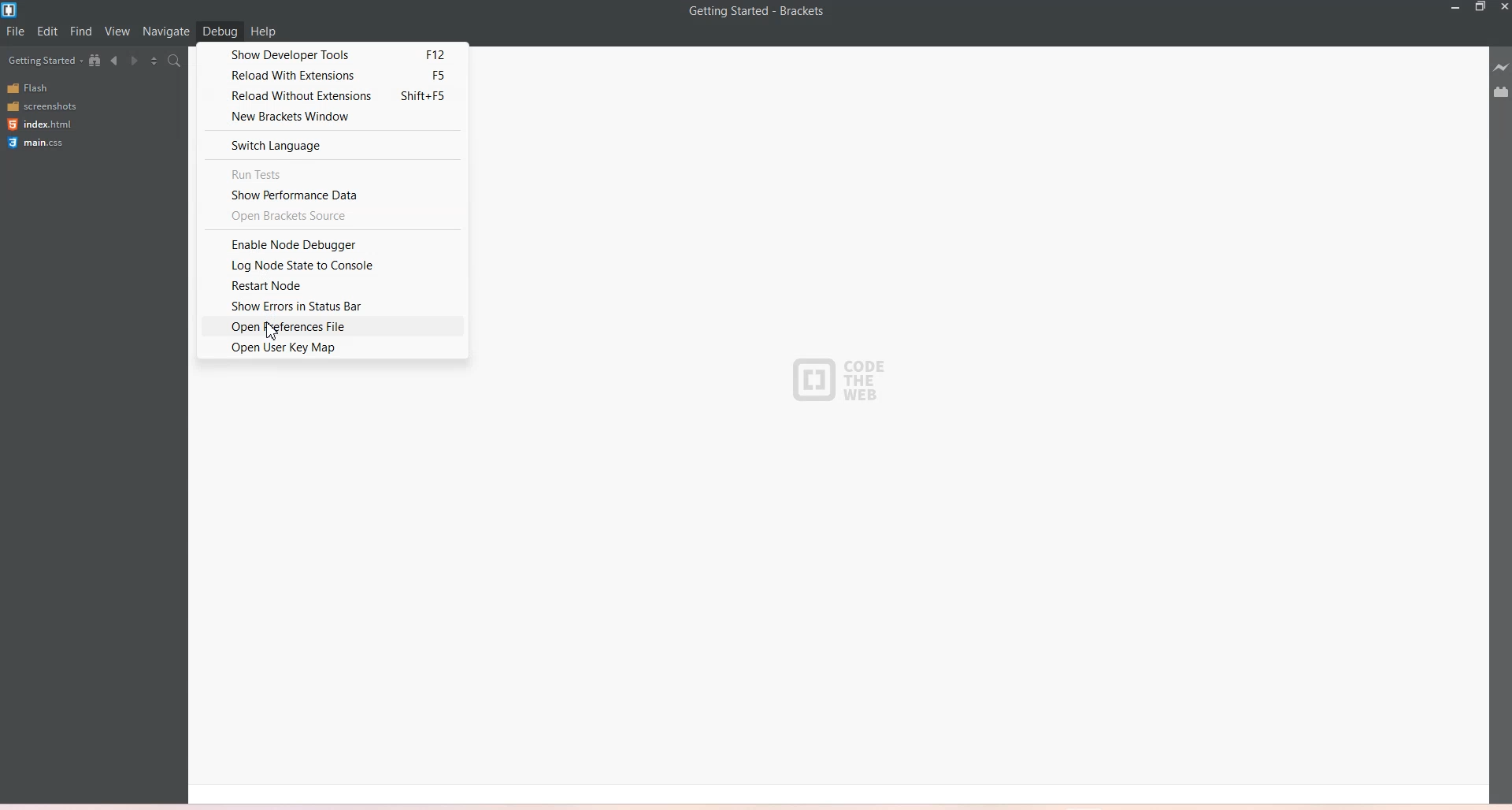  I want to click on Edit, so click(49, 32).